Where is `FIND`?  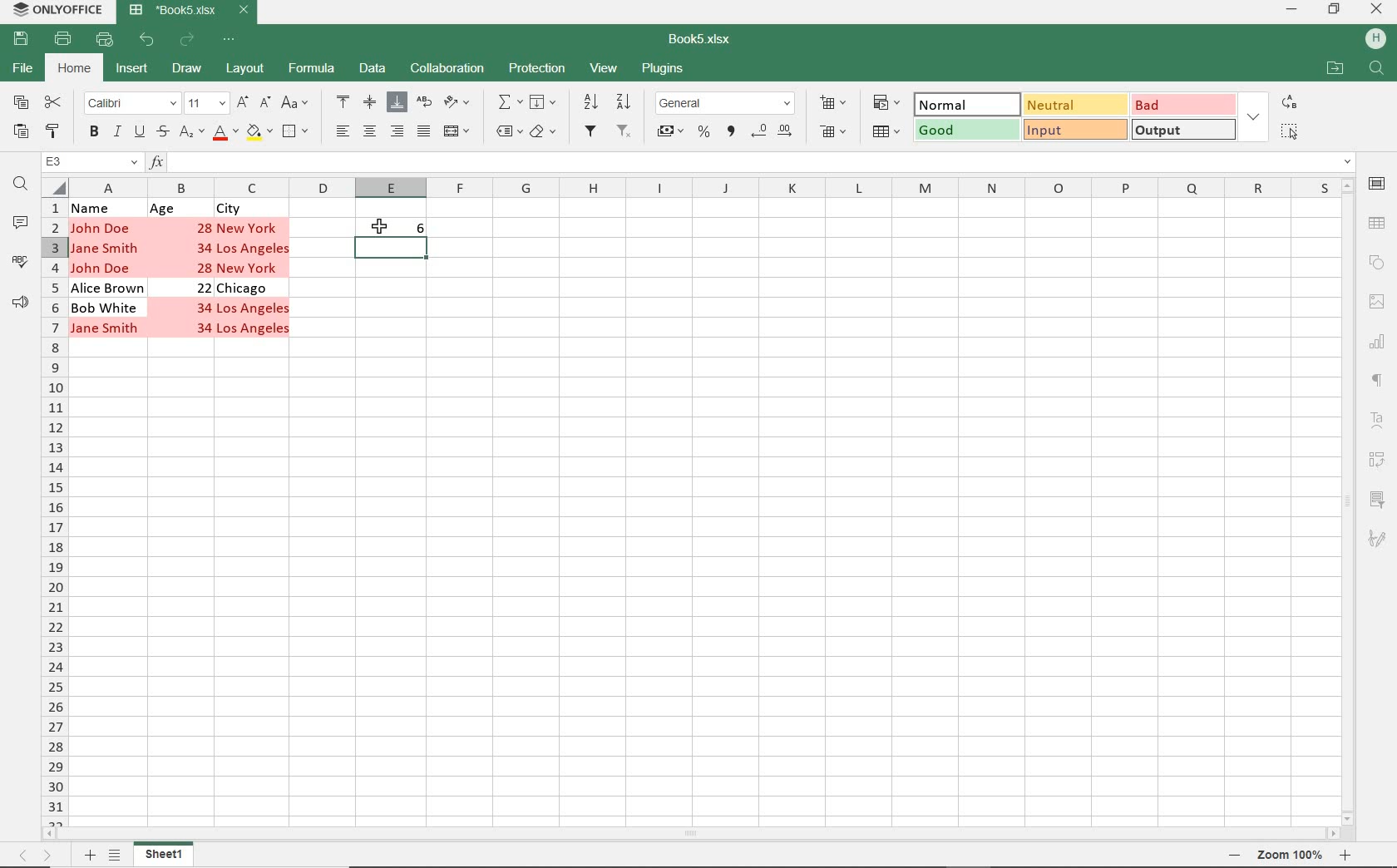
FIND is located at coordinates (1378, 71).